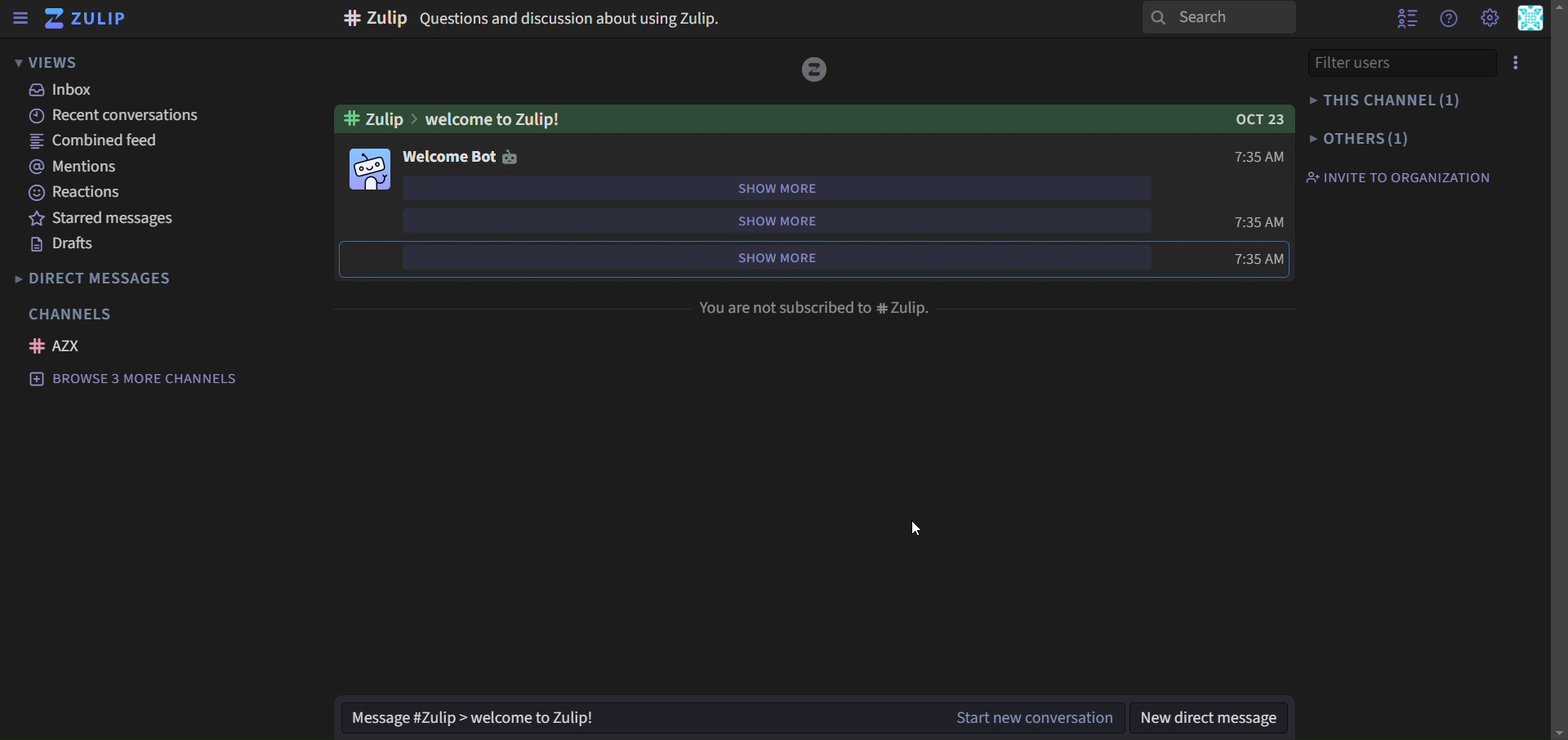 This screenshot has width=1568, height=740. I want to click on drafts, so click(67, 246).